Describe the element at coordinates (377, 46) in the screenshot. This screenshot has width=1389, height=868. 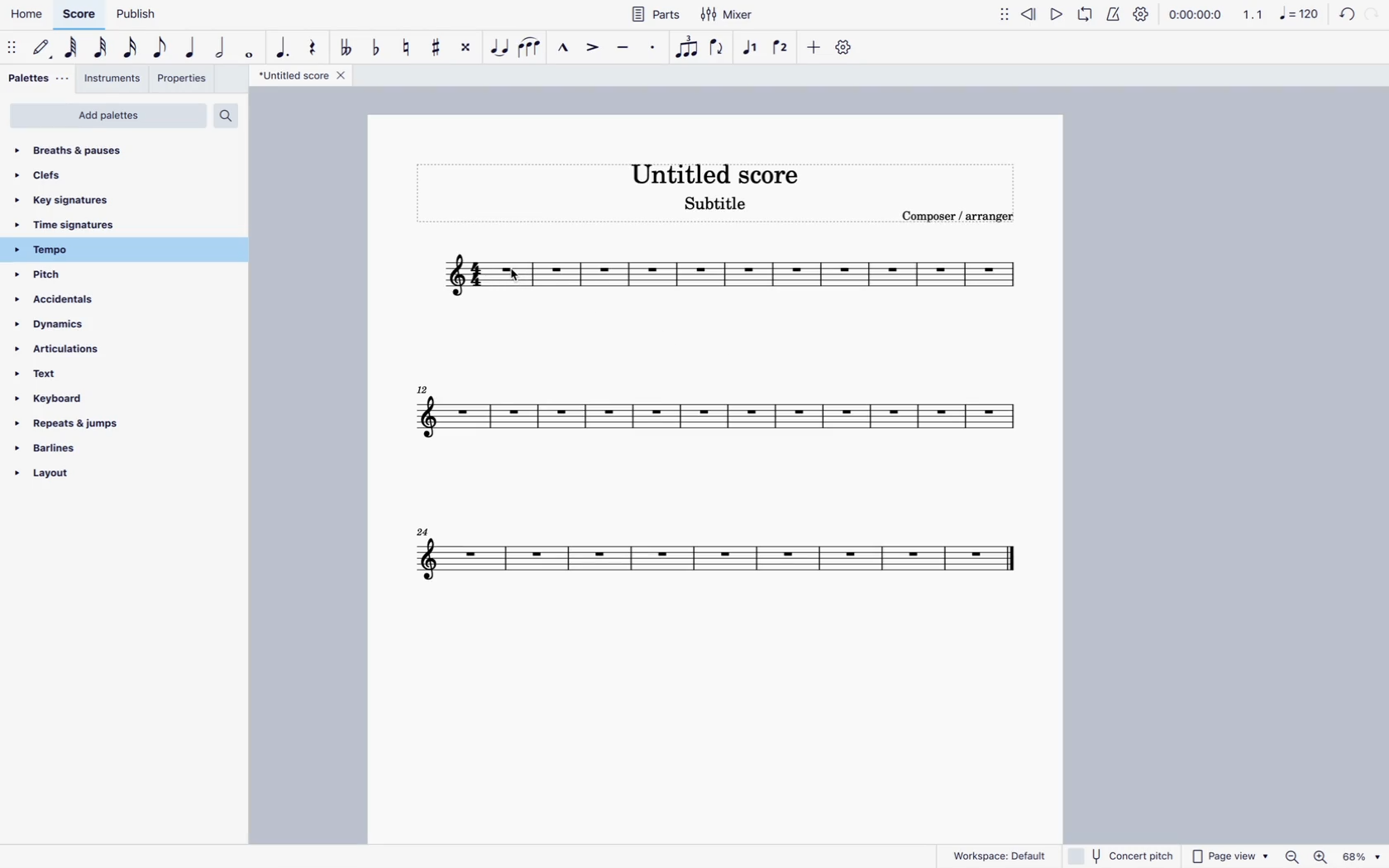
I see `toggle flat` at that location.